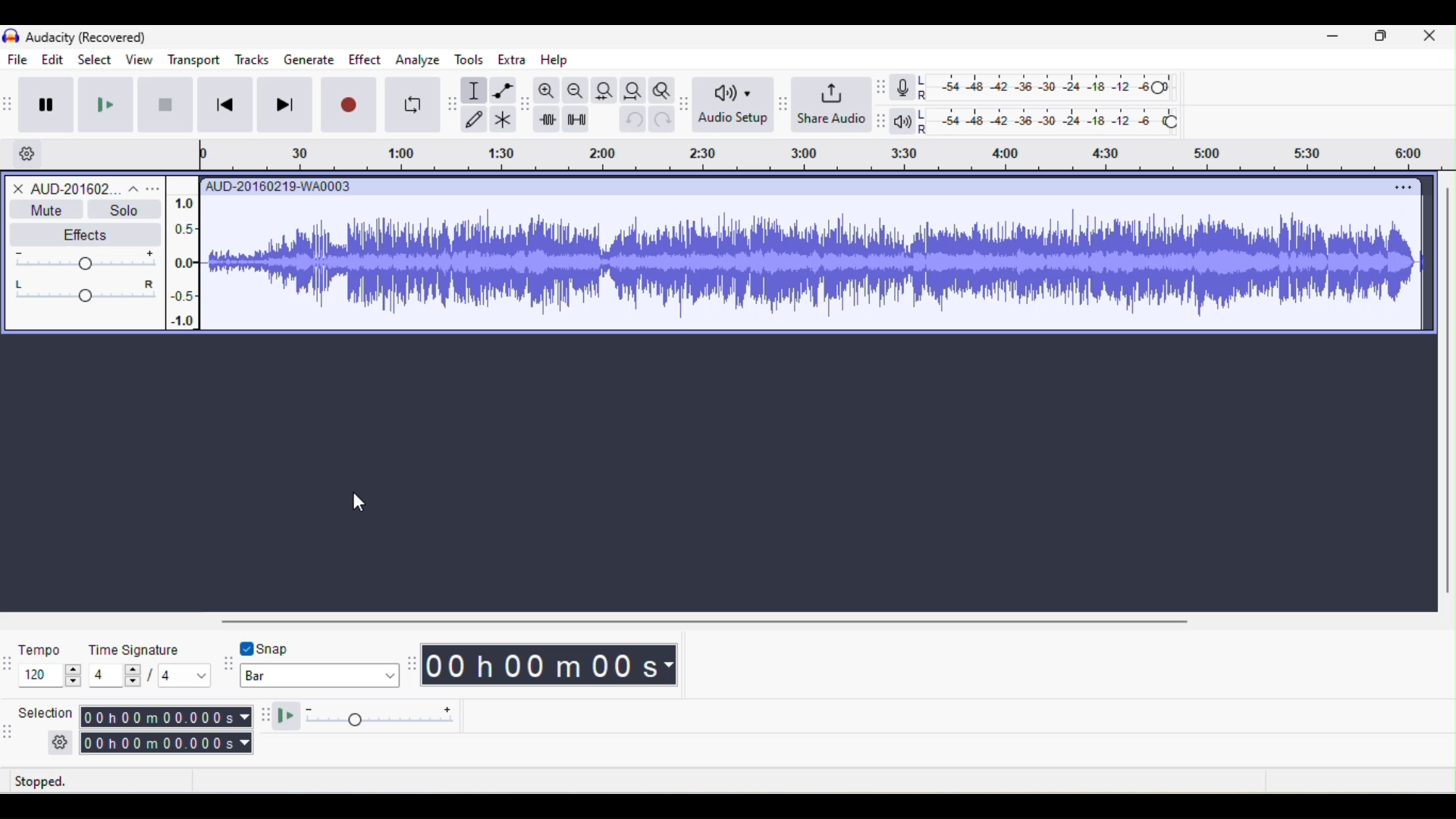 The width and height of the screenshot is (1456, 819). I want to click on AUD-20160219-WAD0003, so click(278, 186).